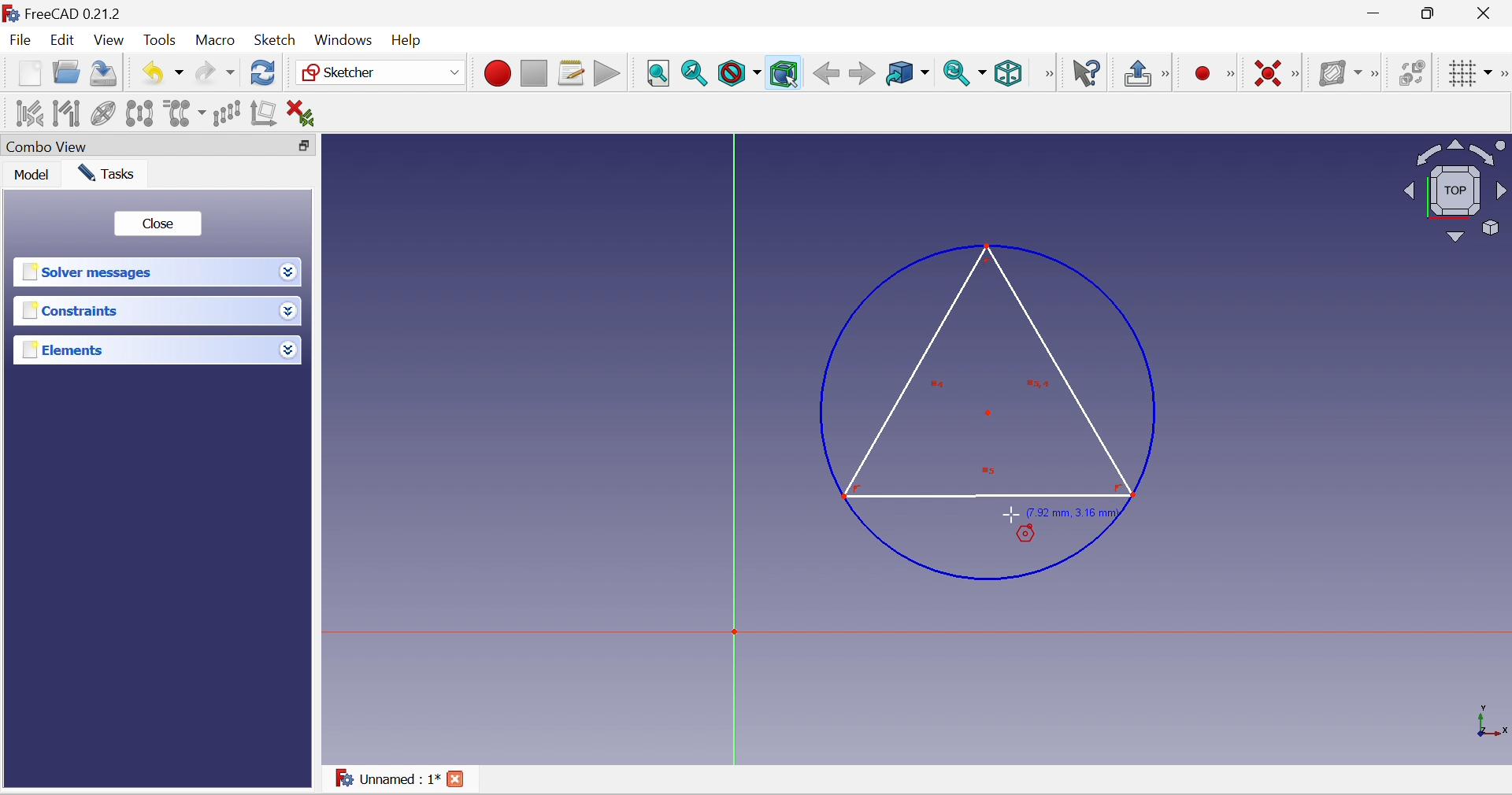 This screenshot has width=1512, height=795. I want to click on Select associated constraints, so click(29, 113).